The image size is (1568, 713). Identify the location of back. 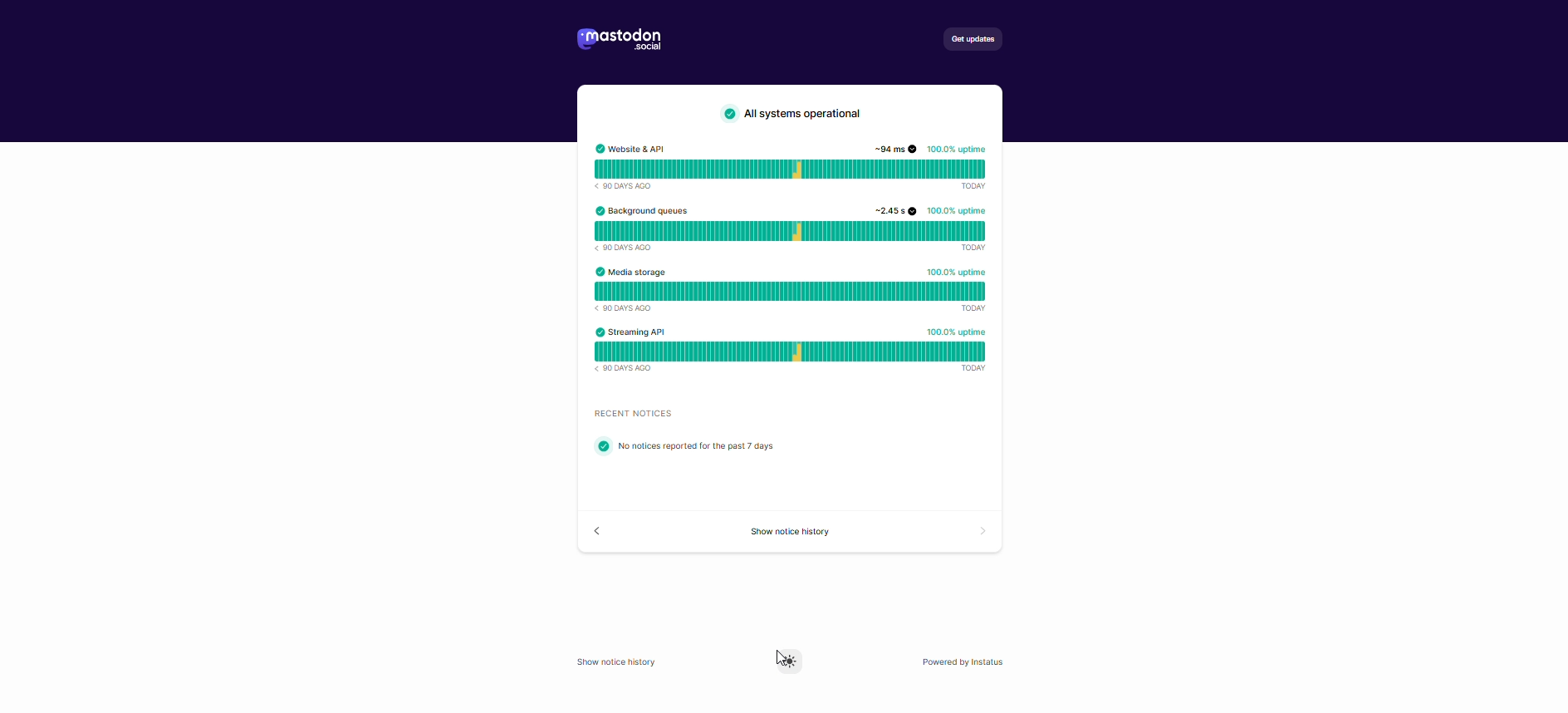
(598, 532).